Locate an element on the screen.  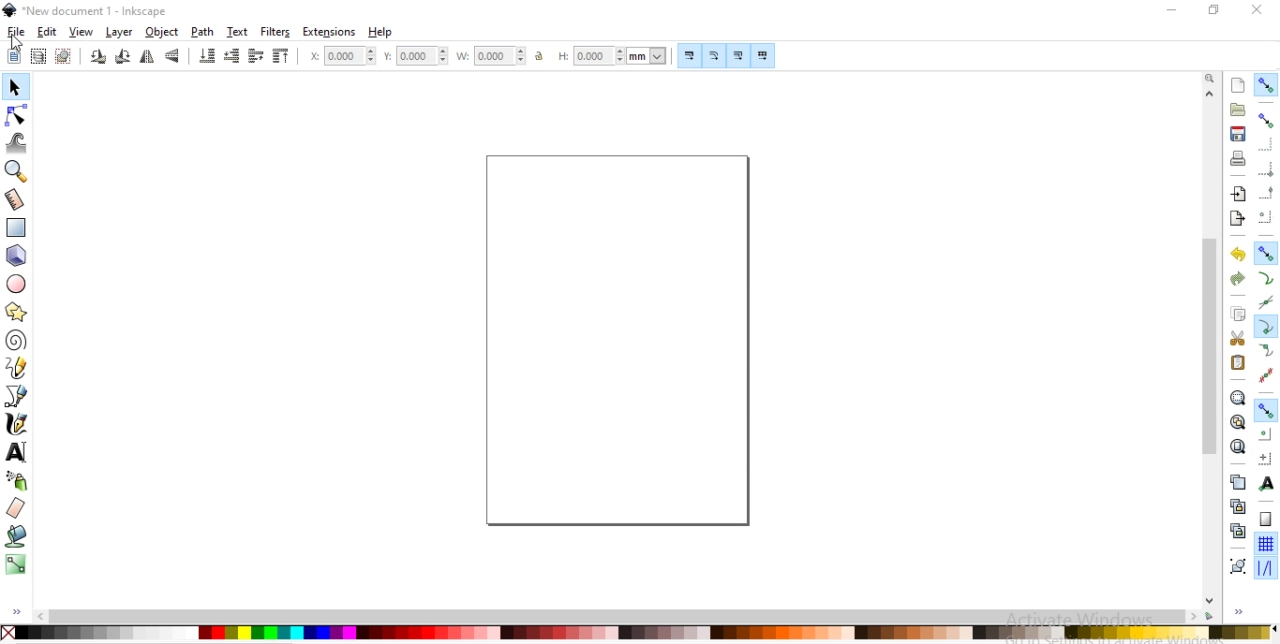
save document is located at coordinates (1238, 134).